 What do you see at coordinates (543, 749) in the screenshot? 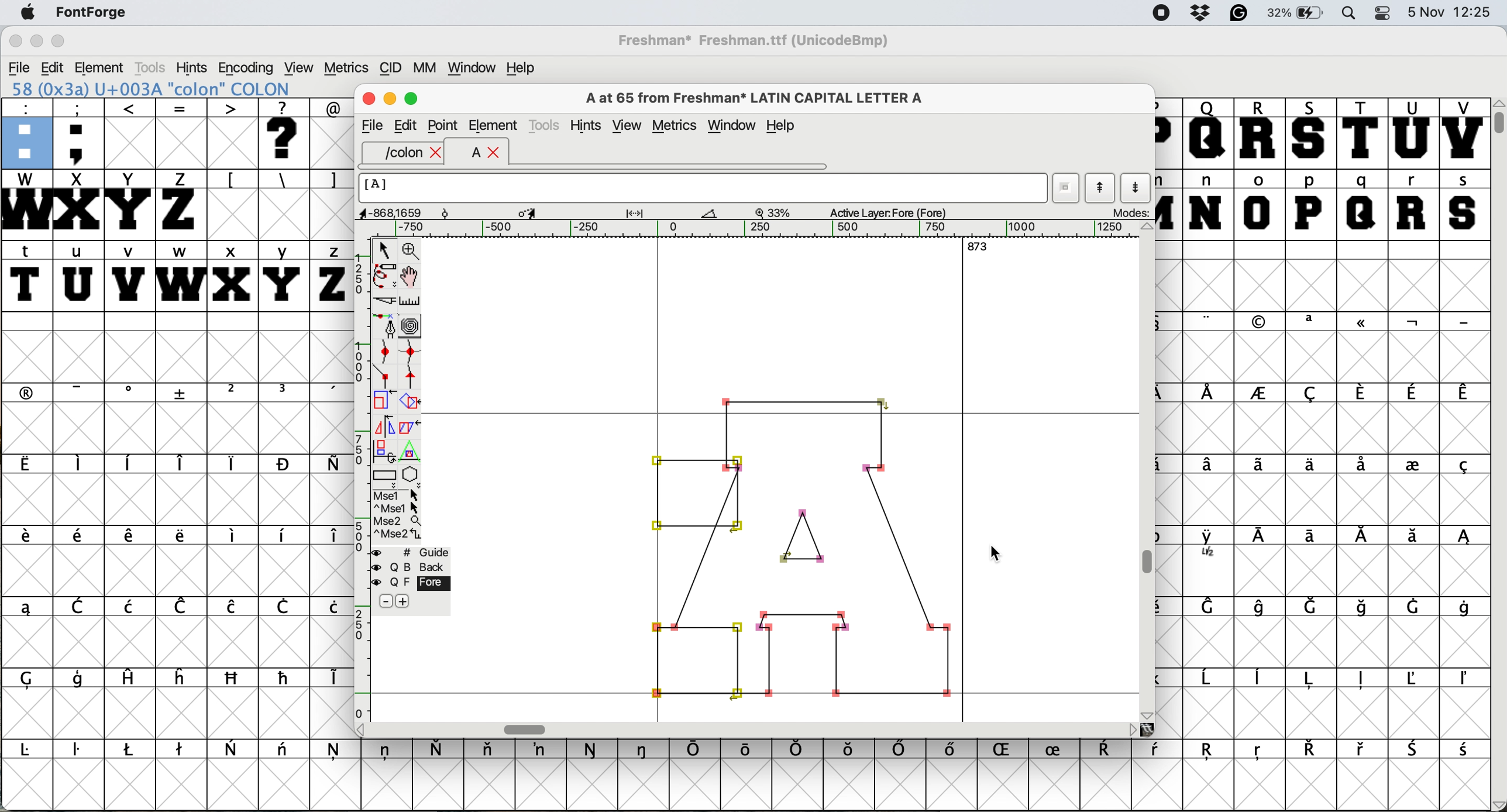
I see `symbol` at bounding box center [543, 749].